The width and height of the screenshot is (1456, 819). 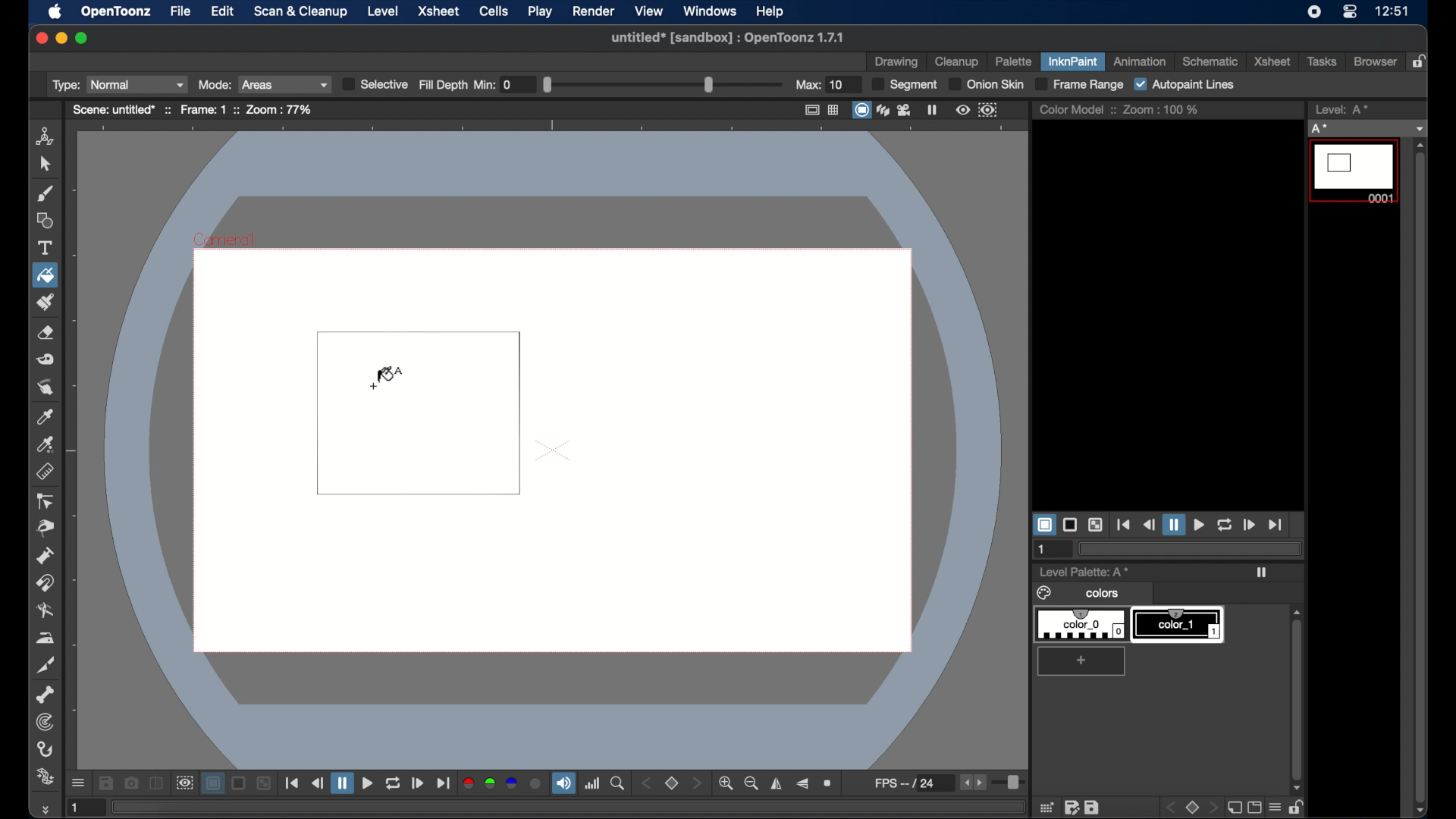 I want to click on zoom in, so click(x=725, y=783).